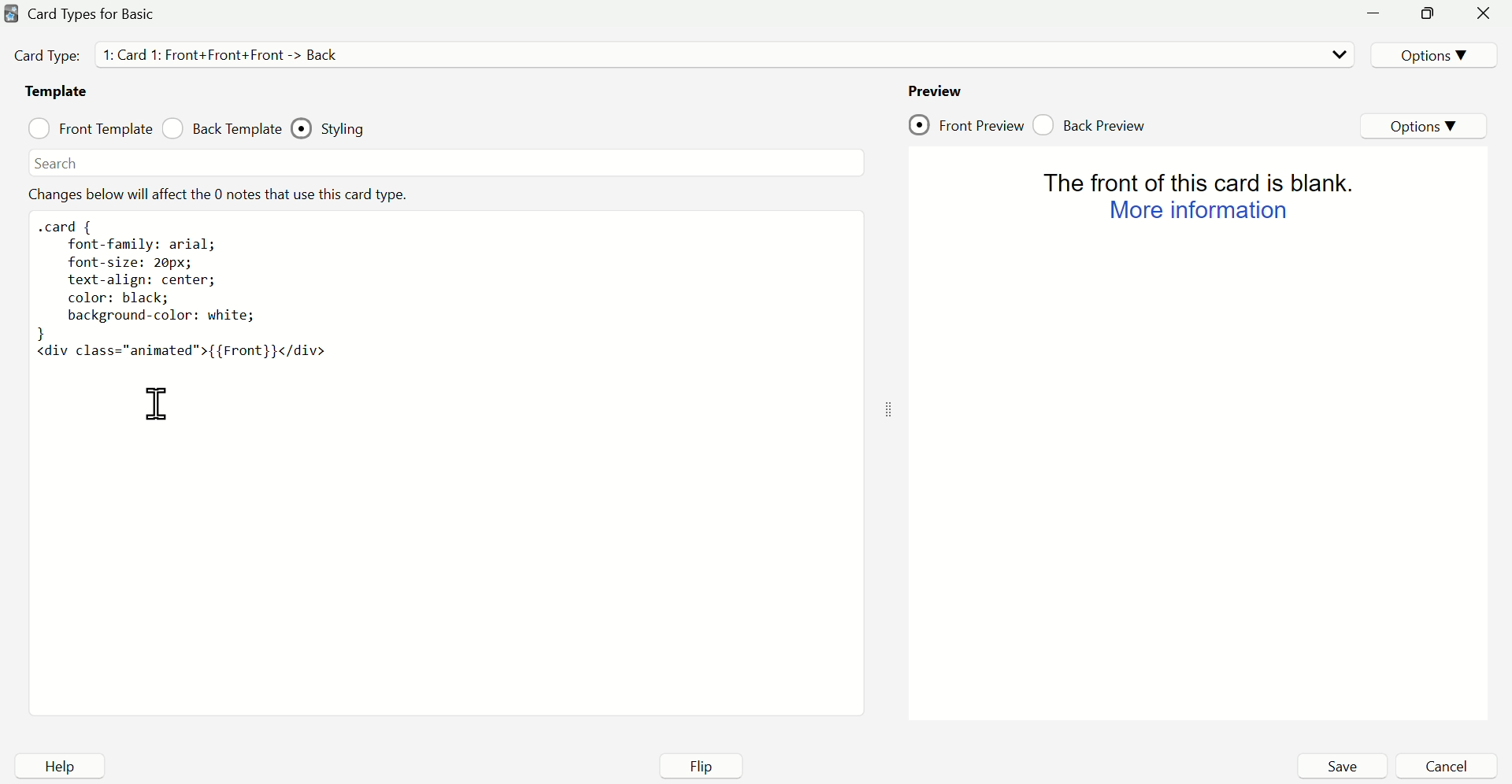 This screenshot has height=784, width=1512. What do you see at coordinates (935, 87) in the screenshot?
I see `Preview` at bounding box center [935, 87].